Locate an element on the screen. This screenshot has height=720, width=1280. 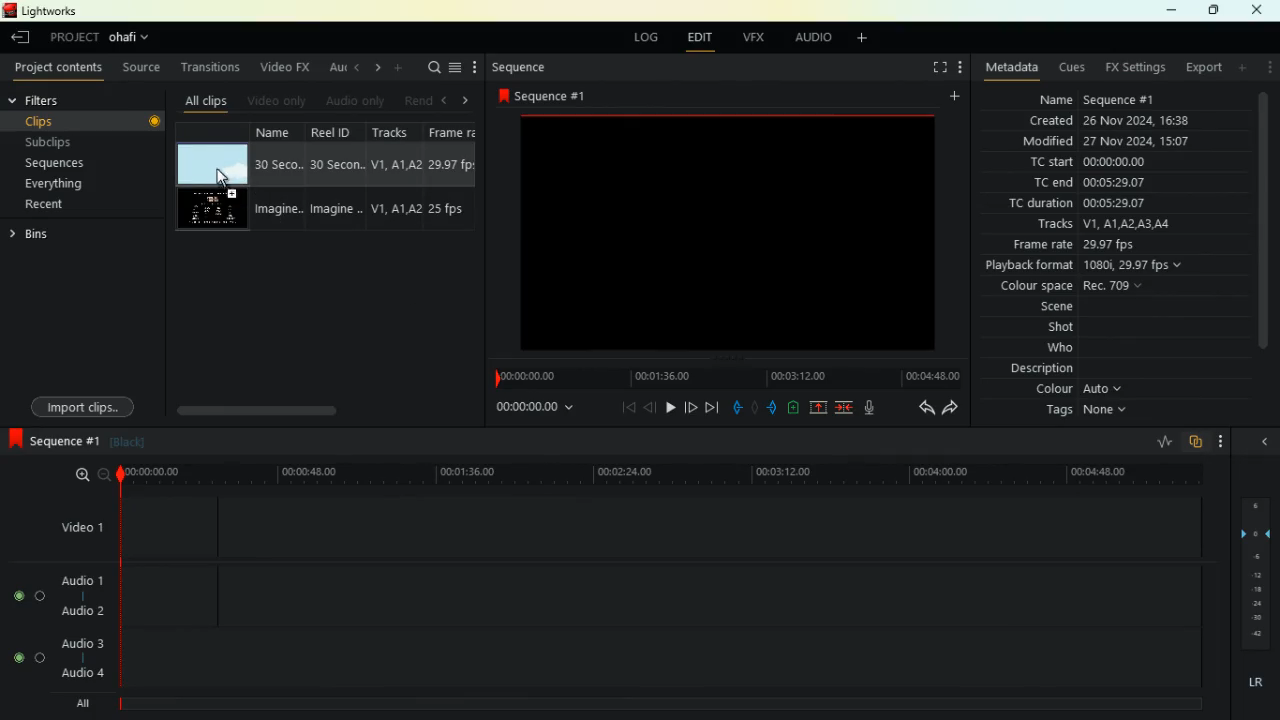
menu is located at coordinates (455, 70).